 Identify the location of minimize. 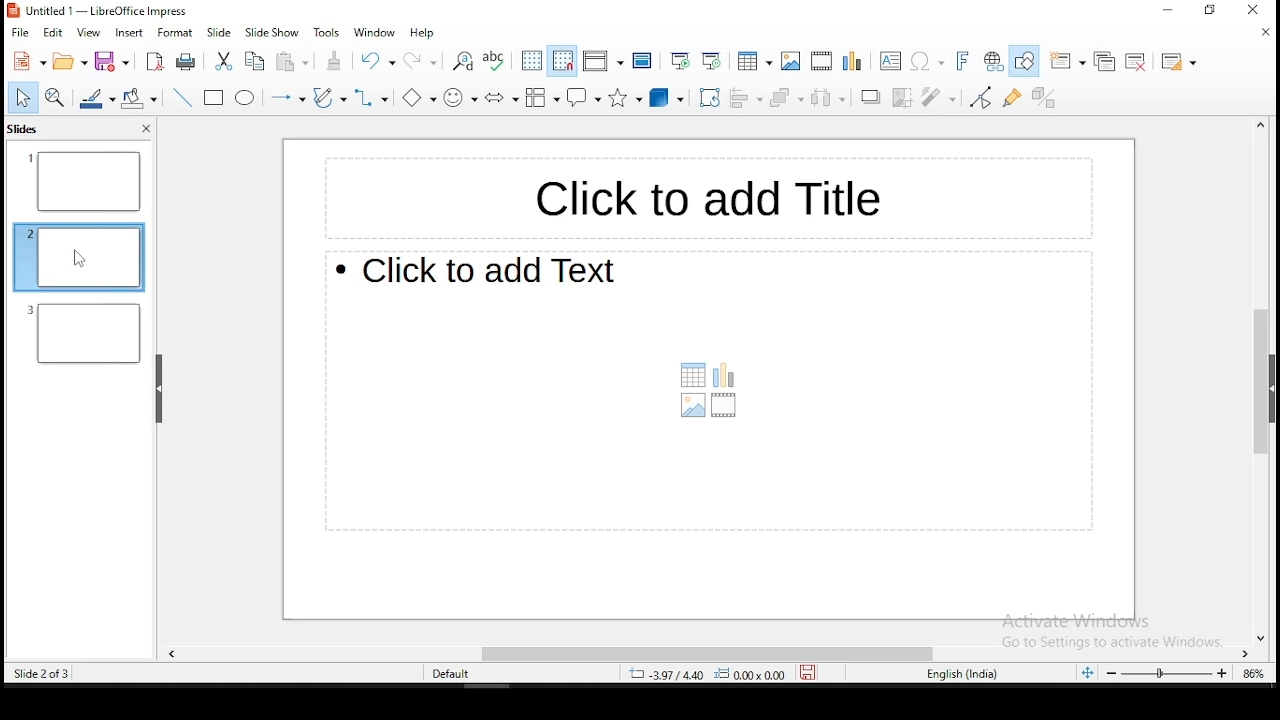
(1156, 14).